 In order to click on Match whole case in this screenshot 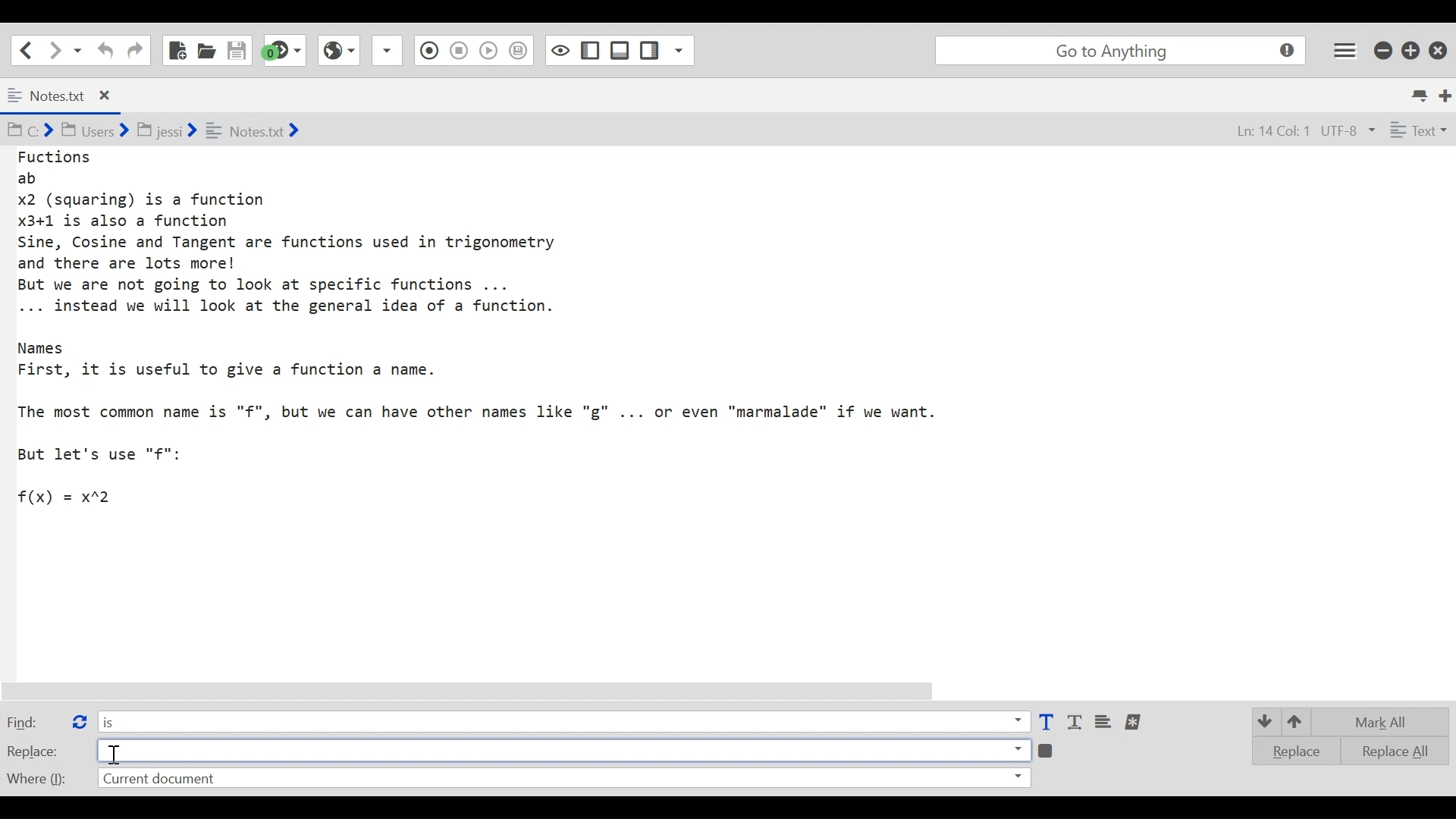, I will do `click(1077, 723)`.